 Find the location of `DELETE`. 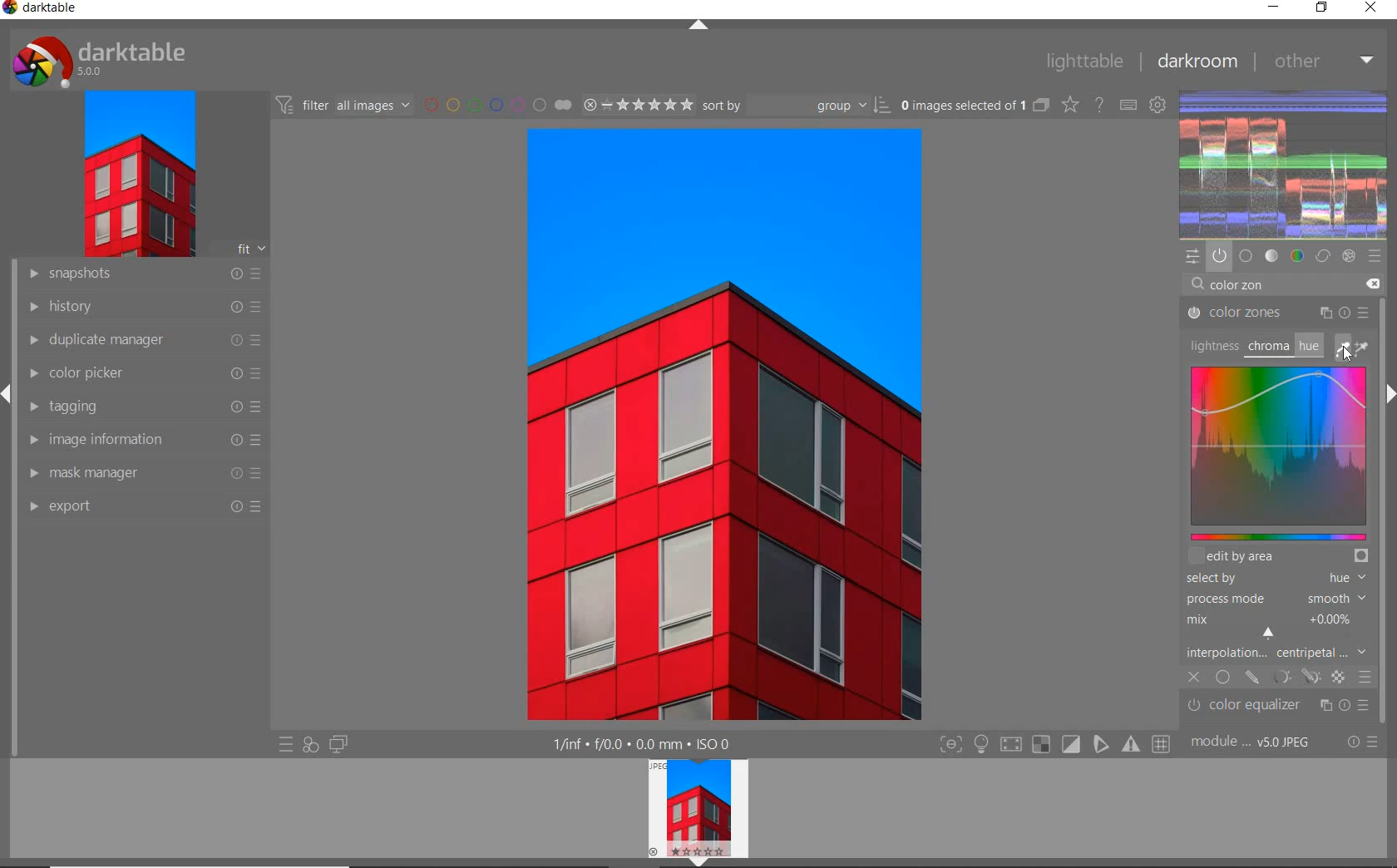

DELETE is located at coordinates (1372, 283).